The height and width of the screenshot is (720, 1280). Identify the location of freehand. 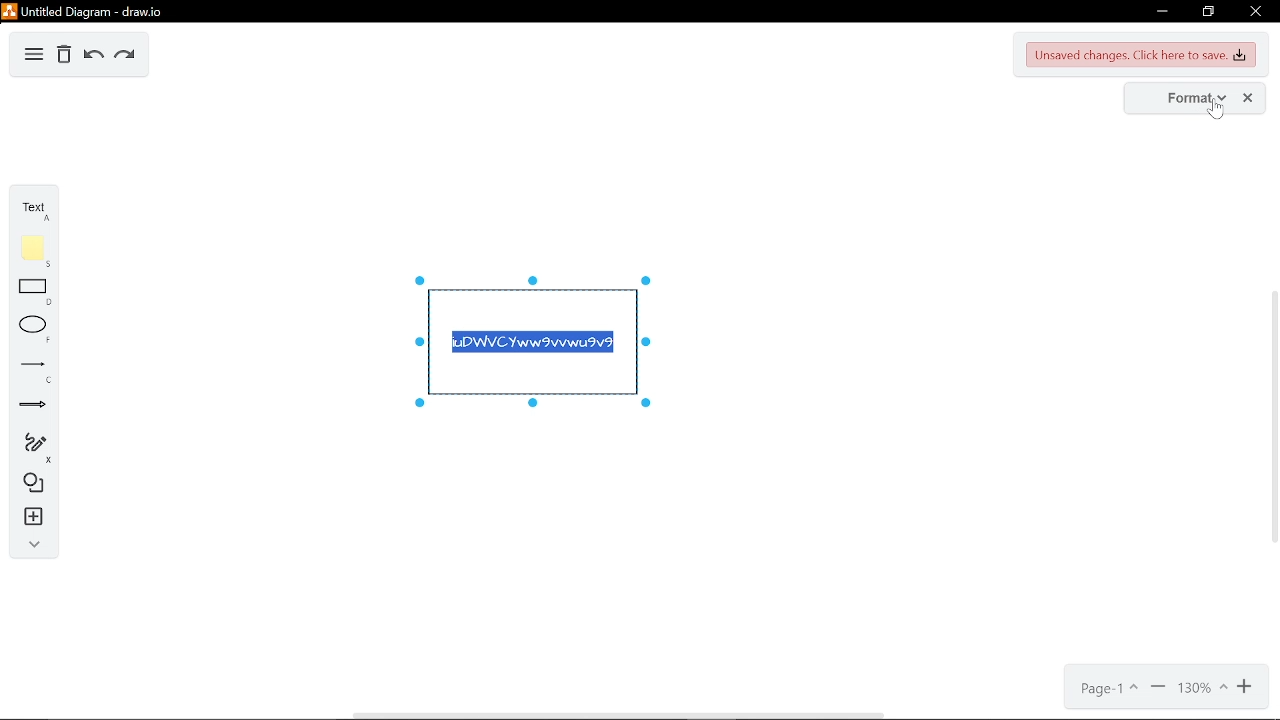
(31, 446).